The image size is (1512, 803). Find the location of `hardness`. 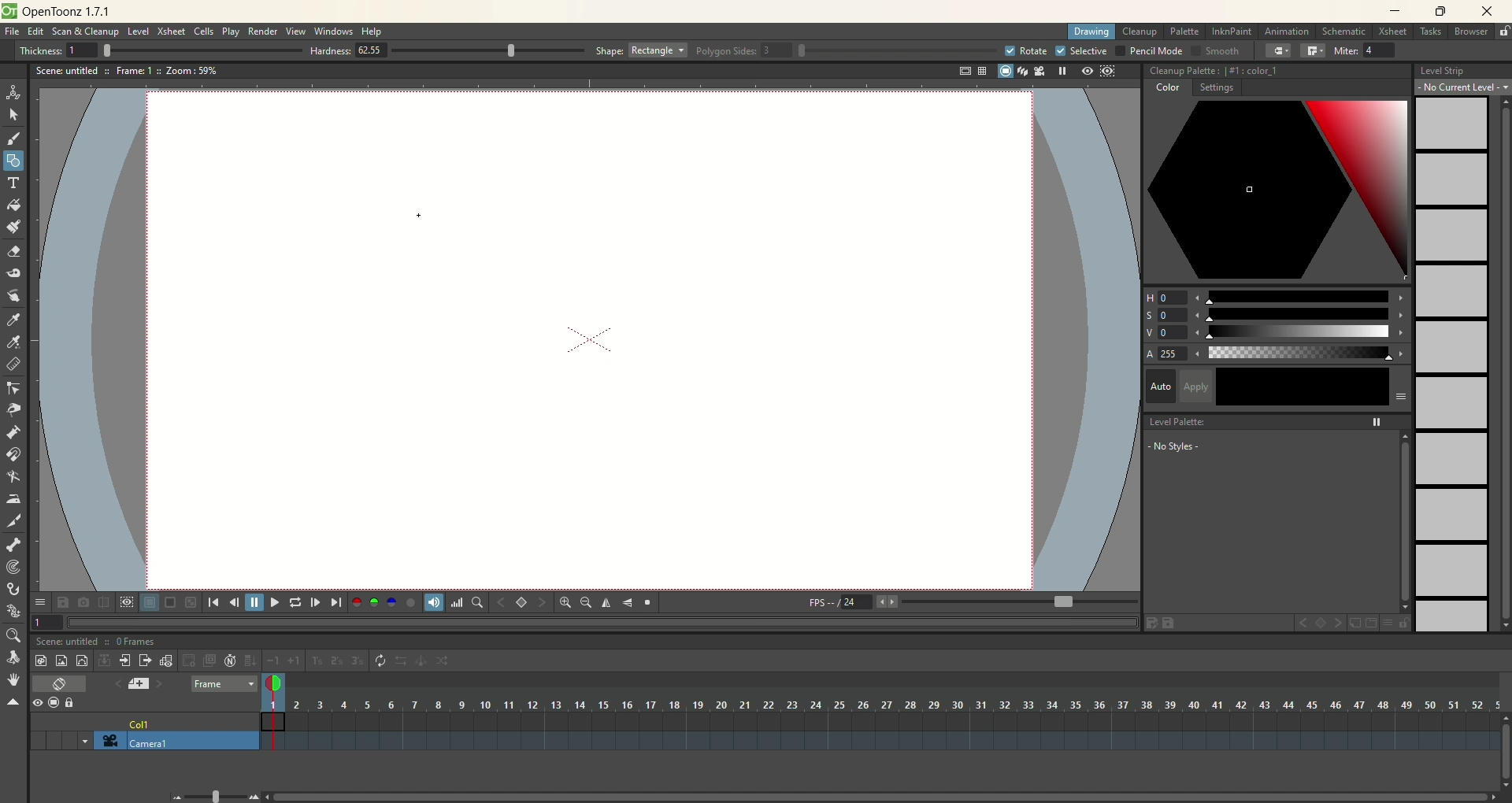

hardness is located at coordinates (447, 52).